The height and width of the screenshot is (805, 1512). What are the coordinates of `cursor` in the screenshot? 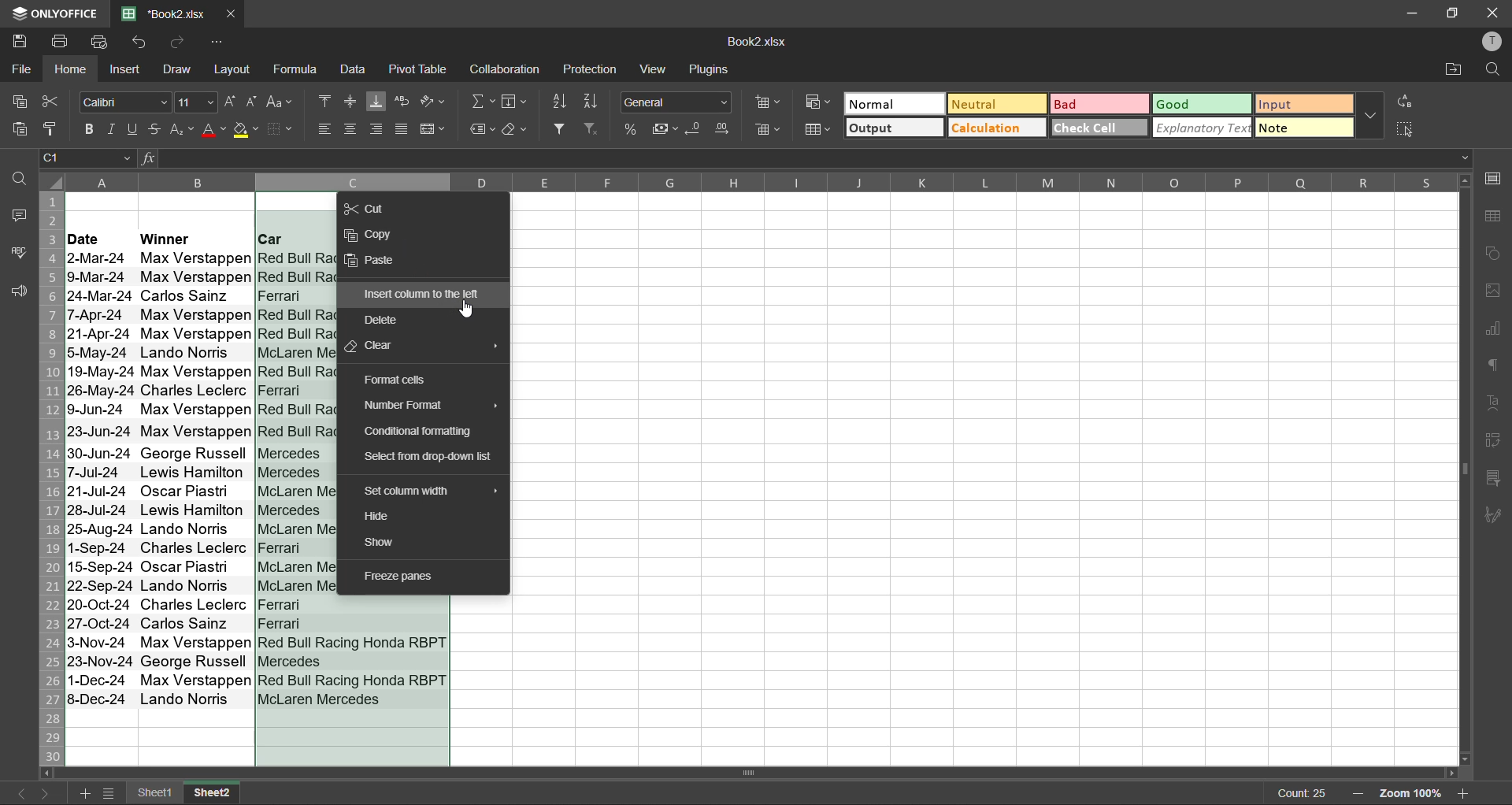 It's located at (468, 310).